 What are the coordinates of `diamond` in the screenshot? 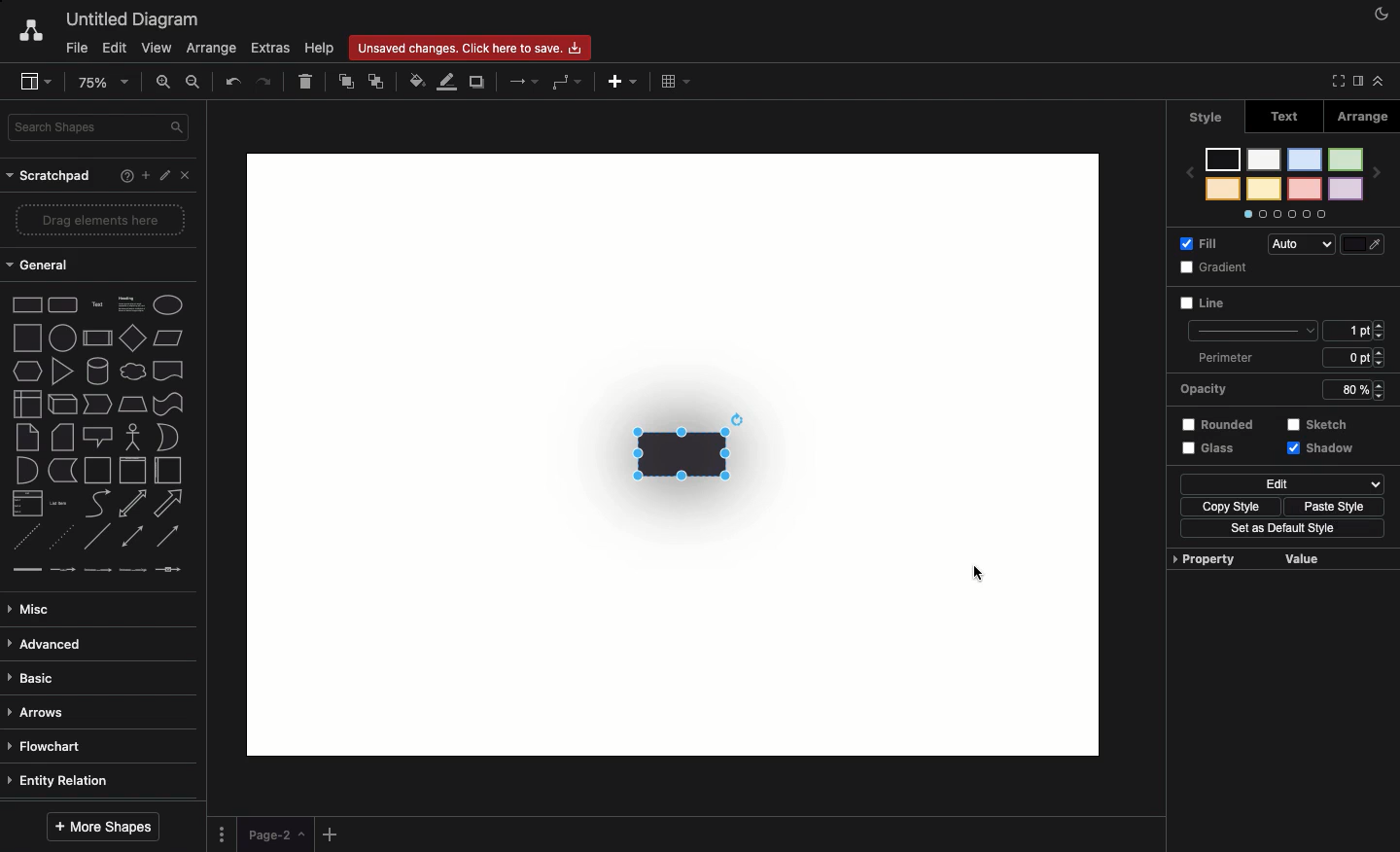 It's located at (131, 339).